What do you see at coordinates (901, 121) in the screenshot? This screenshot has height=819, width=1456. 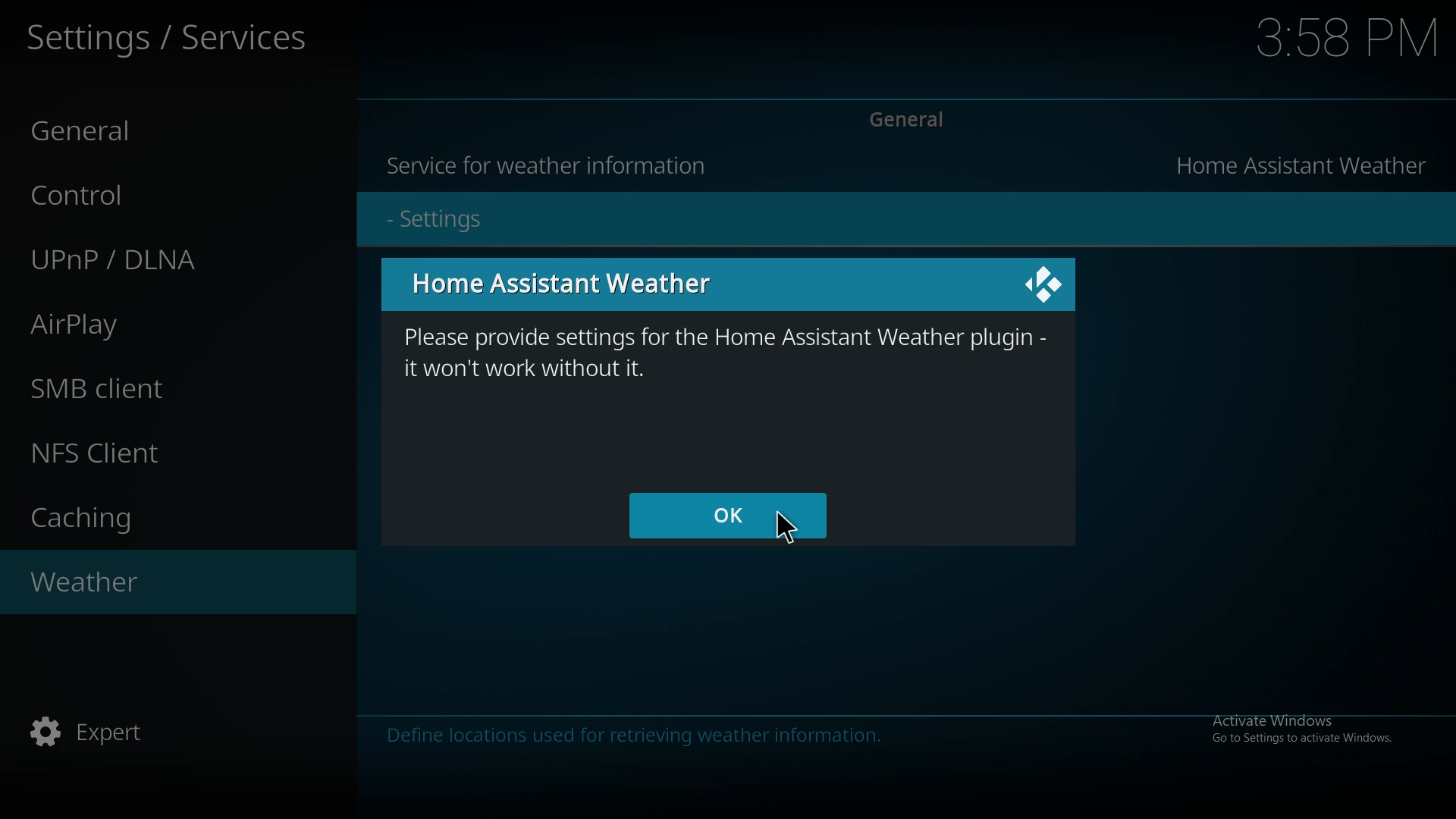 I see `General` at bounding box center [901, 121].